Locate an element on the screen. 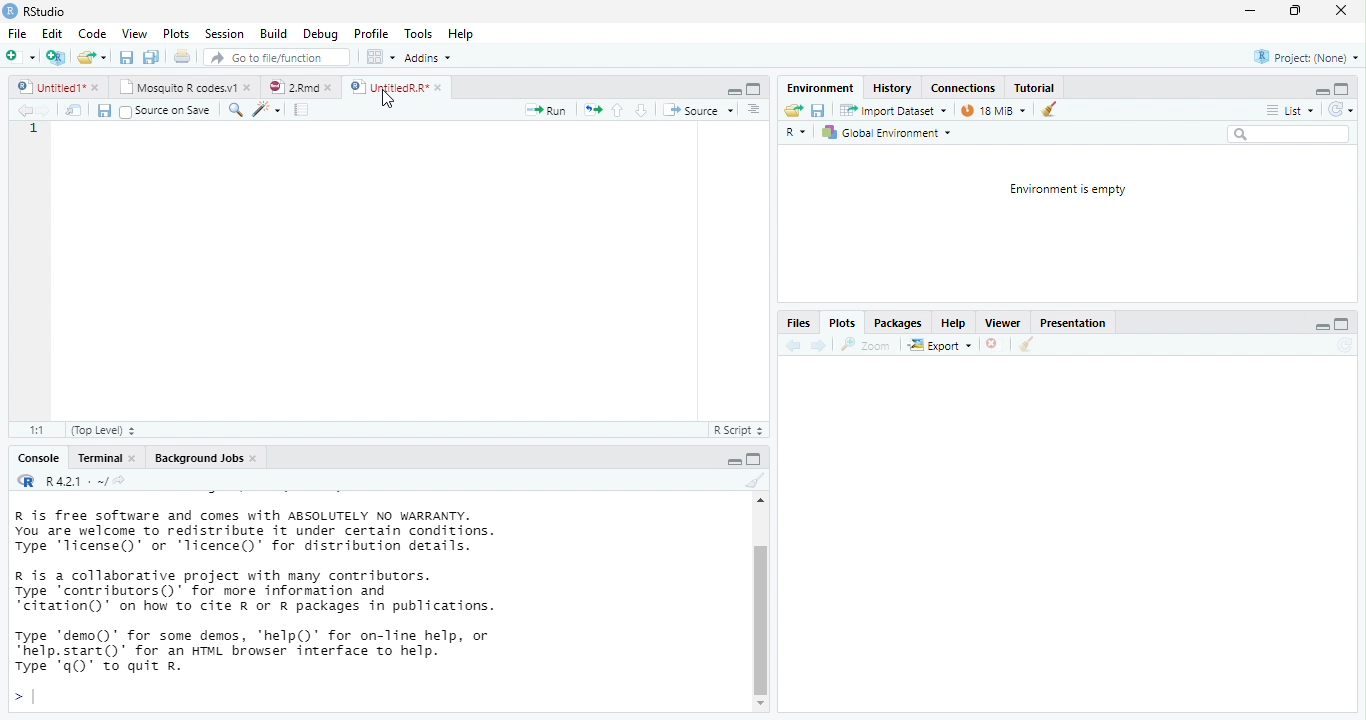 This screenshot has height=720, width=1366. Create a project is located at coordinates (55, 57).